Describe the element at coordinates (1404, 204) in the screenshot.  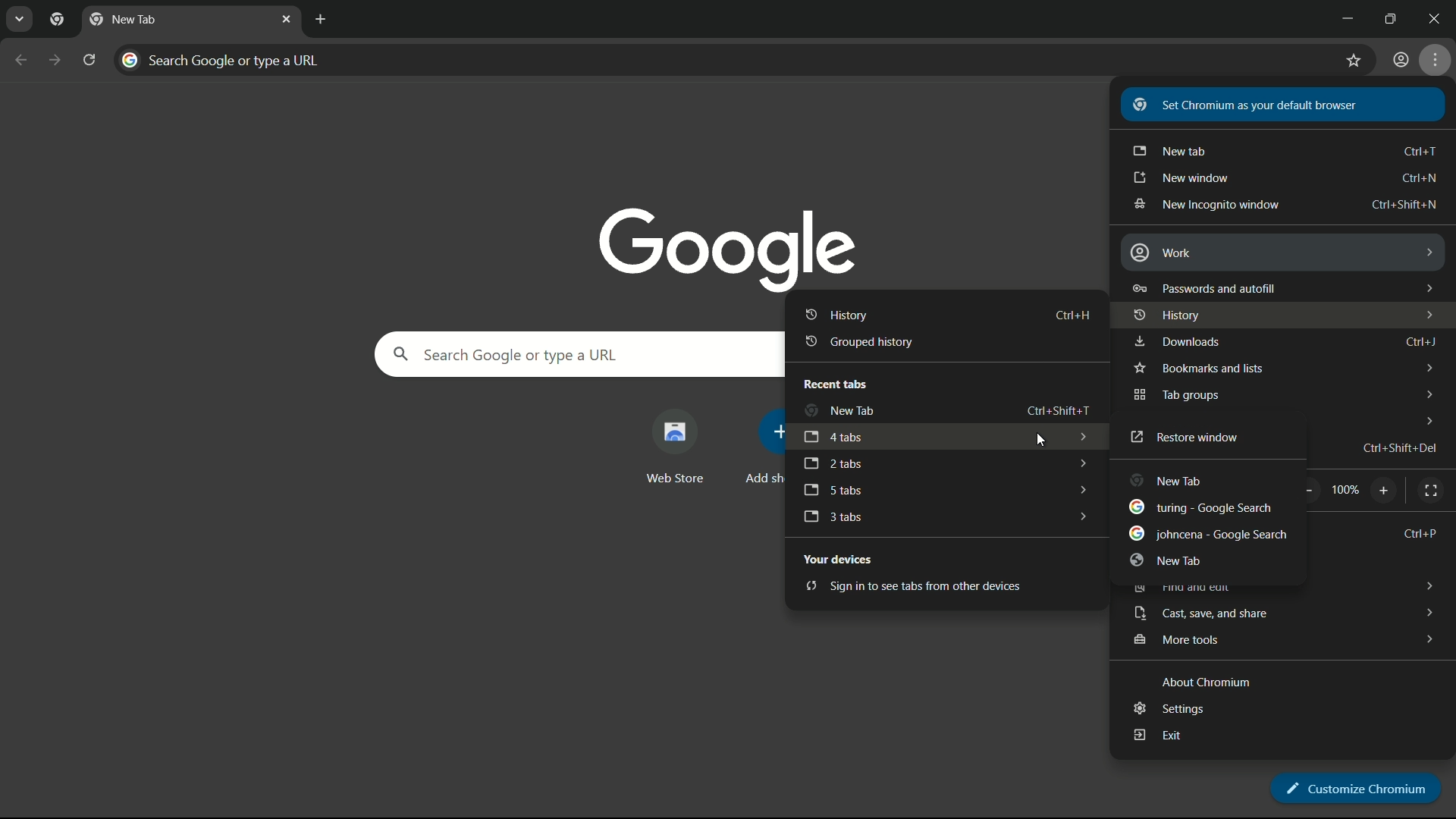
I see `shortcut key` at that location.